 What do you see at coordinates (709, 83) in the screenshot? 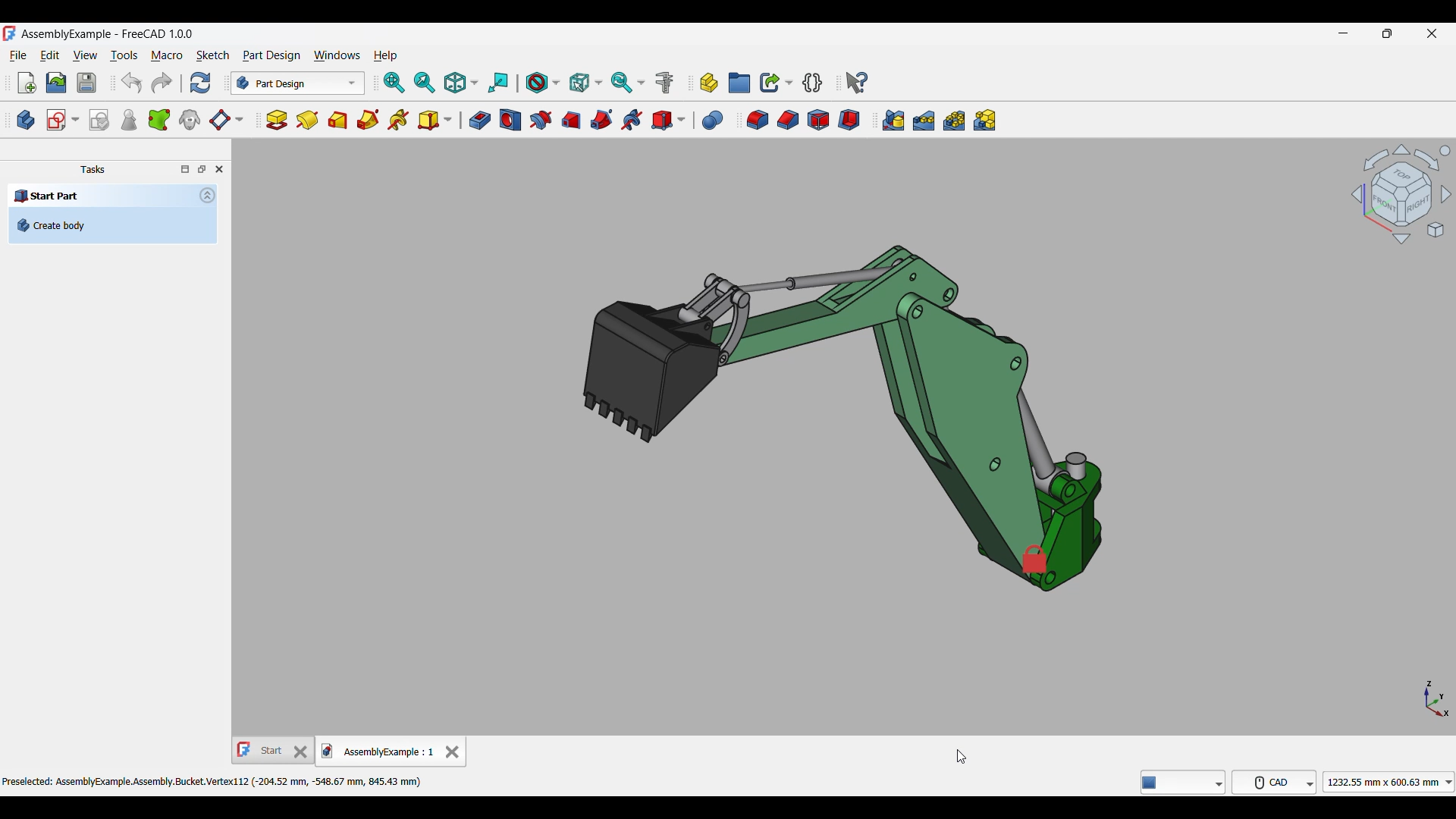
I see `Create part` at bounding box center [709, 83].